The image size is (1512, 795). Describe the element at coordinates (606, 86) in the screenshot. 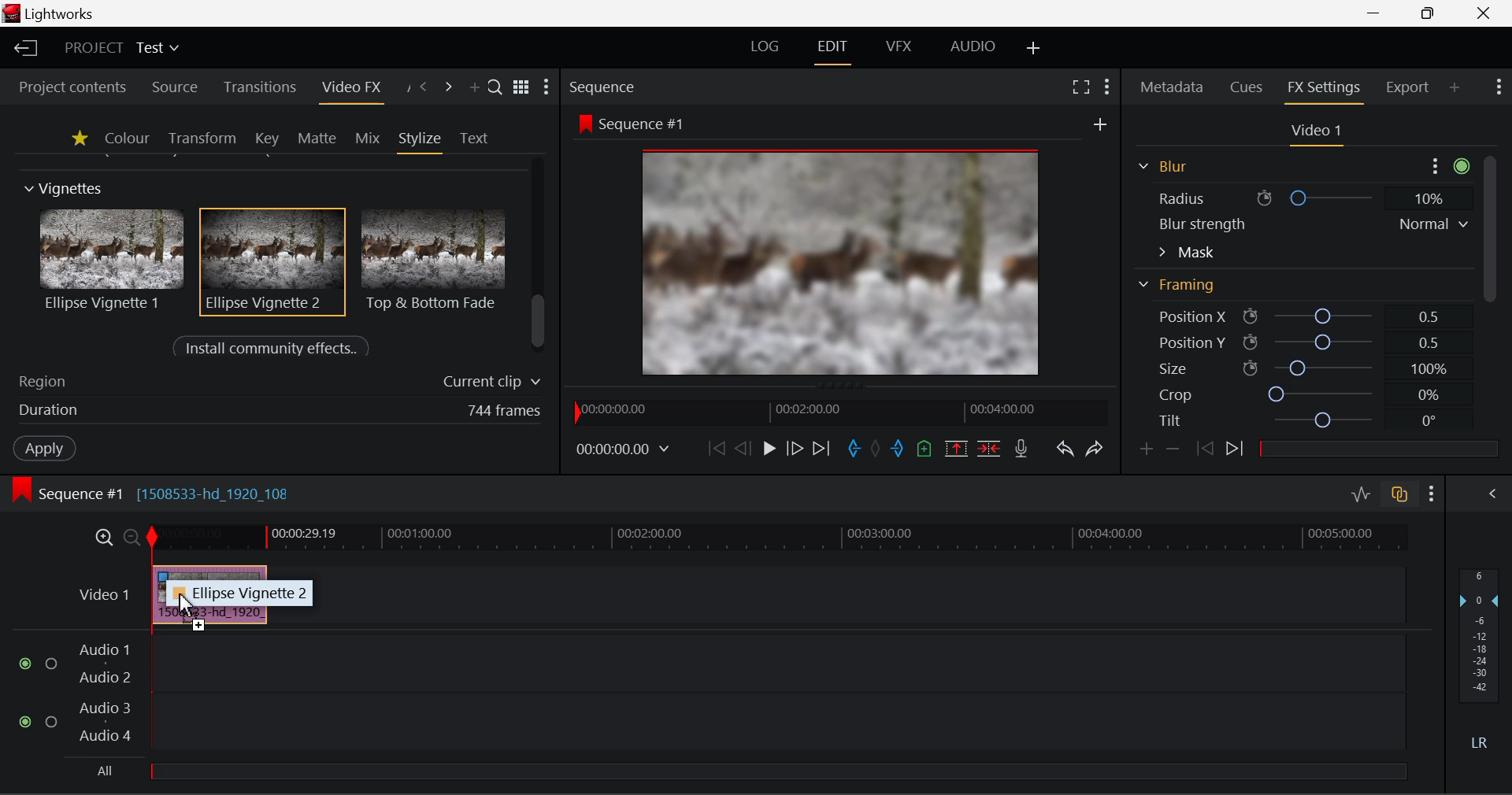

I see `Sequence Preview Section` at that location.